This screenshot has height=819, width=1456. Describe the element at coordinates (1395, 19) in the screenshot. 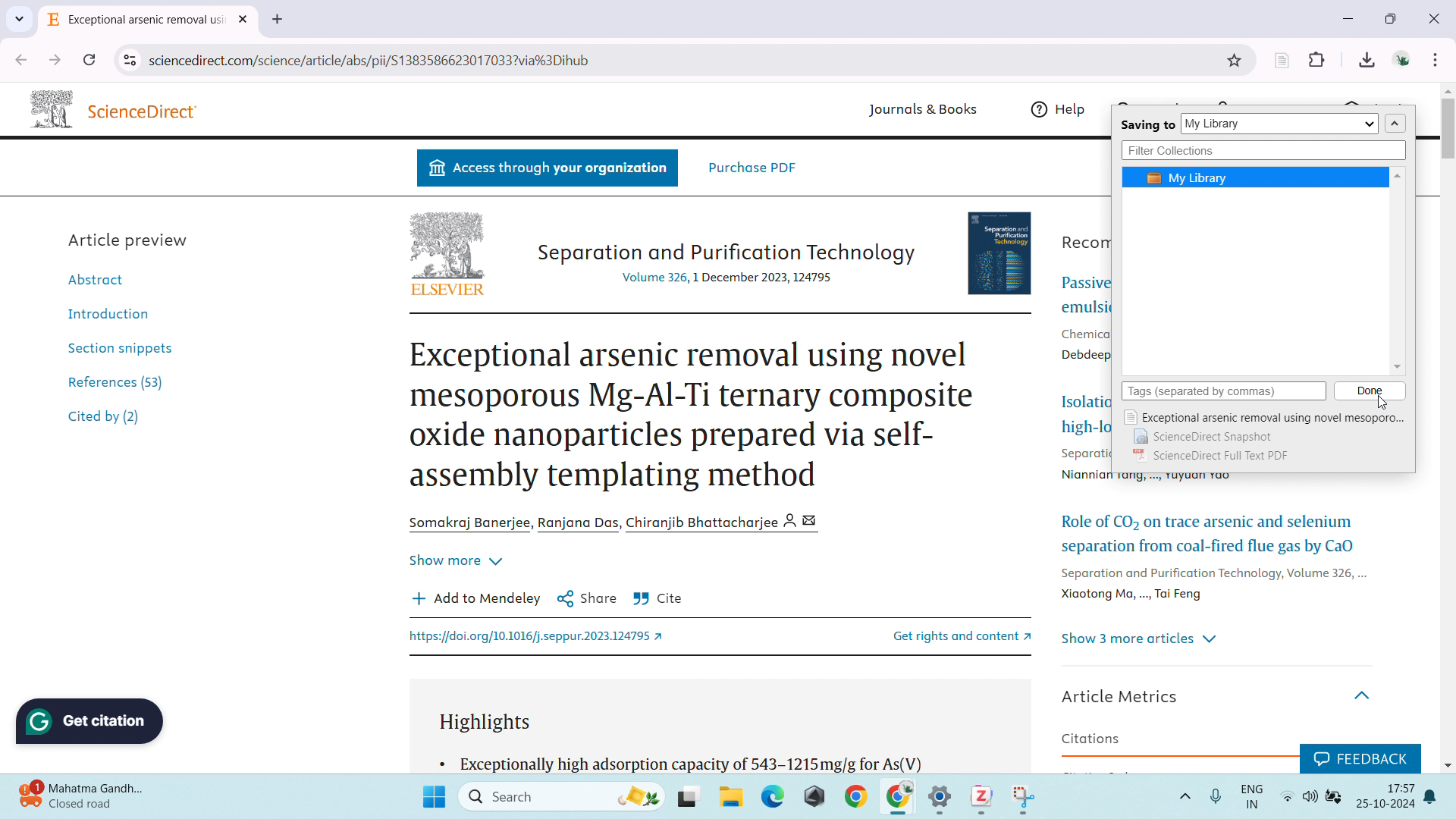

I see `maximize` at that location.